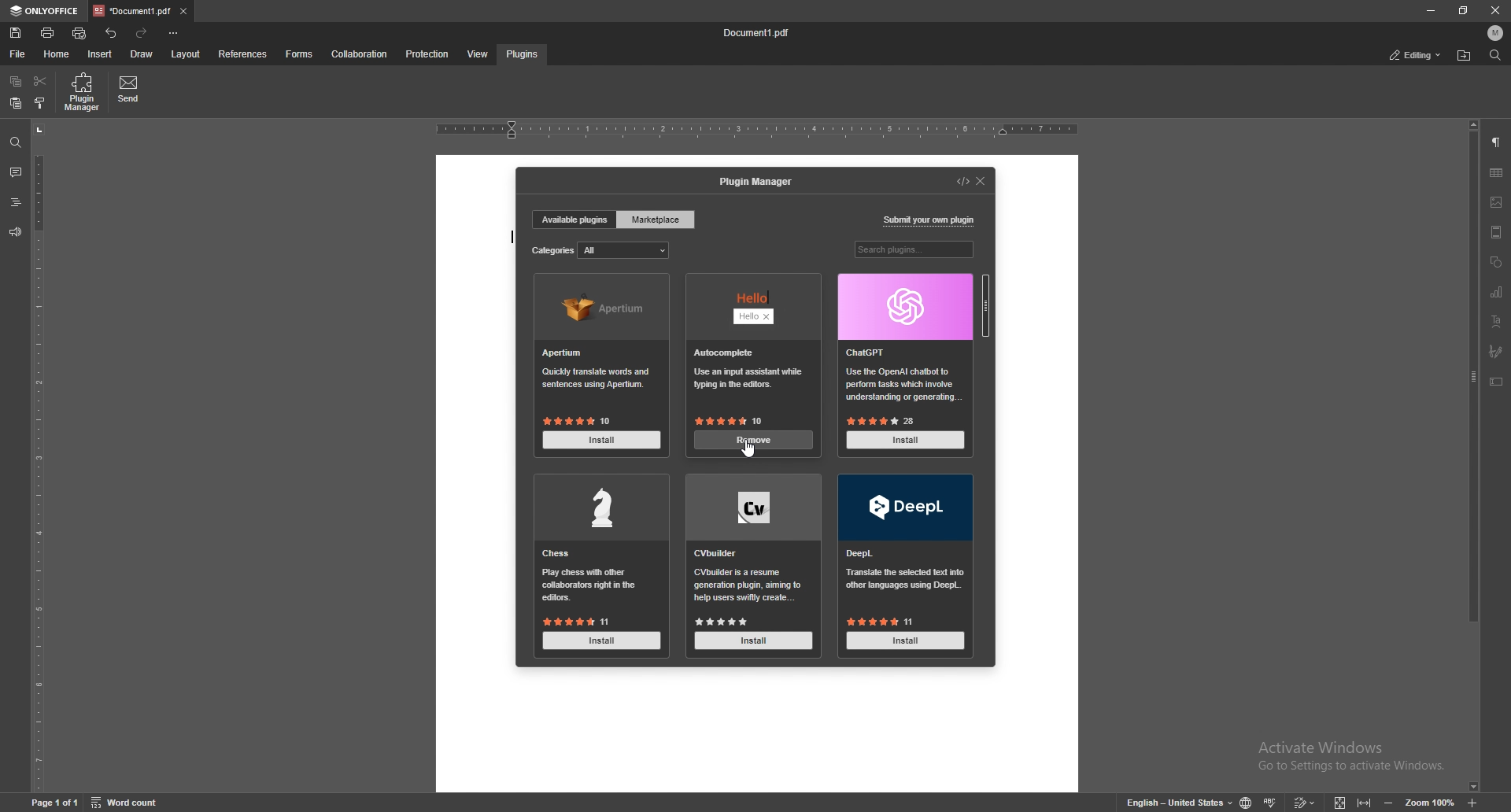 This screenshot has width=1511, height=812. Describe the element at coordinates (17, 202) in the screenshot. I see `heading` at that location.